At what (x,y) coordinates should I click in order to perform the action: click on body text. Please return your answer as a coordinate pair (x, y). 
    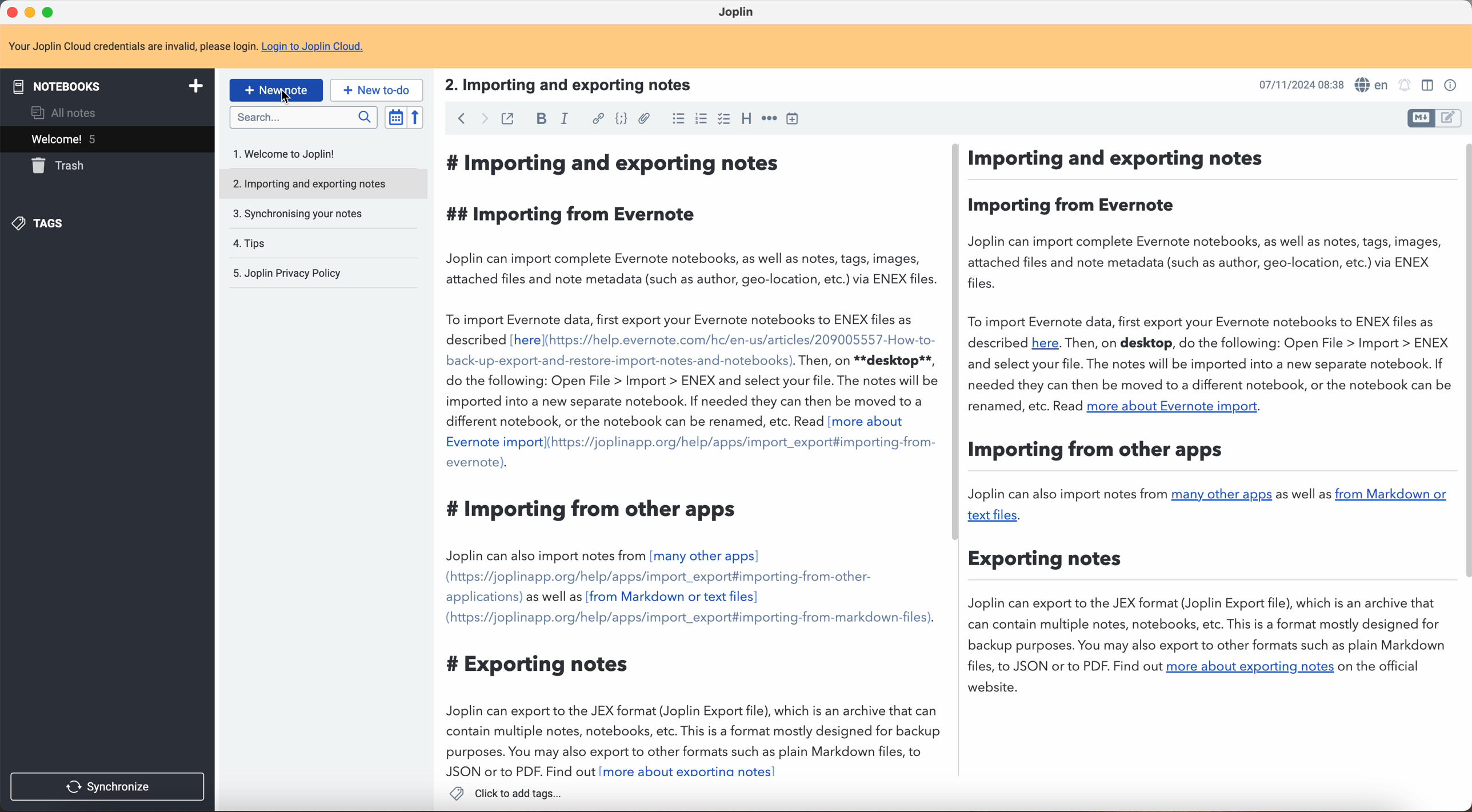
    Looking at the image, I should click on (1210, 432).